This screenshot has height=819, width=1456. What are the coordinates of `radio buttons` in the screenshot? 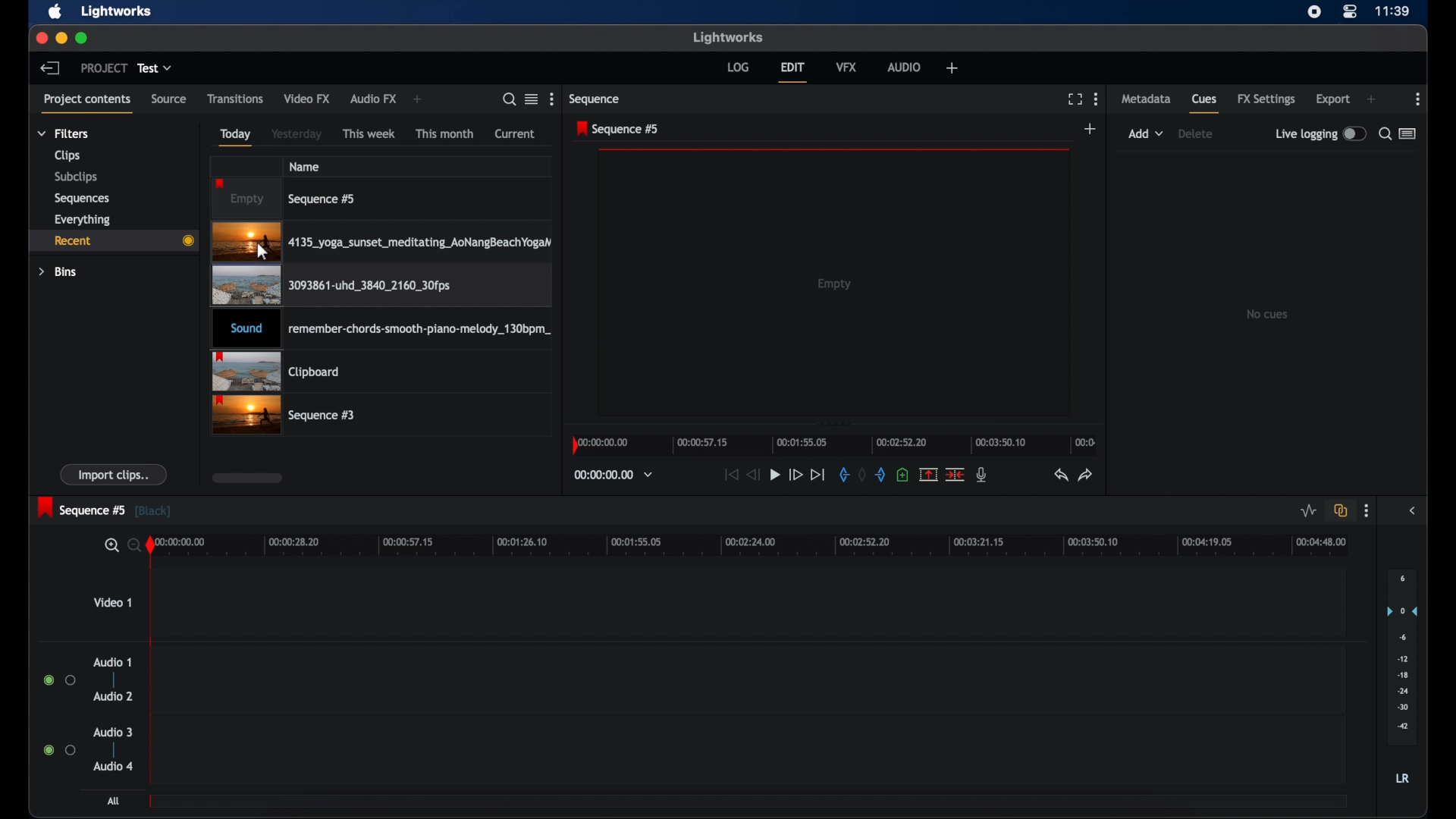 It's located at (59, 680).